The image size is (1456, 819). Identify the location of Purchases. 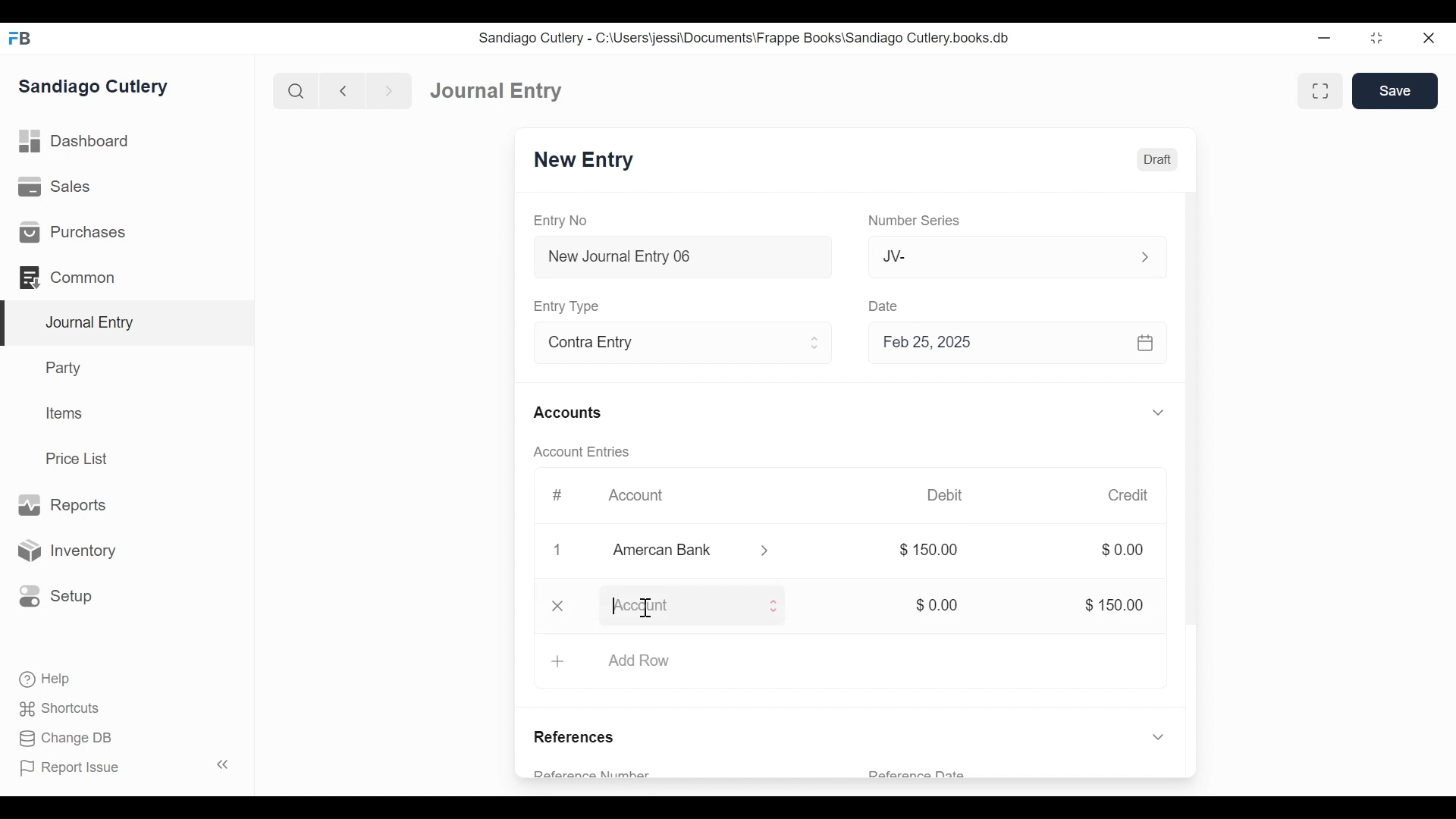
(71, 232).